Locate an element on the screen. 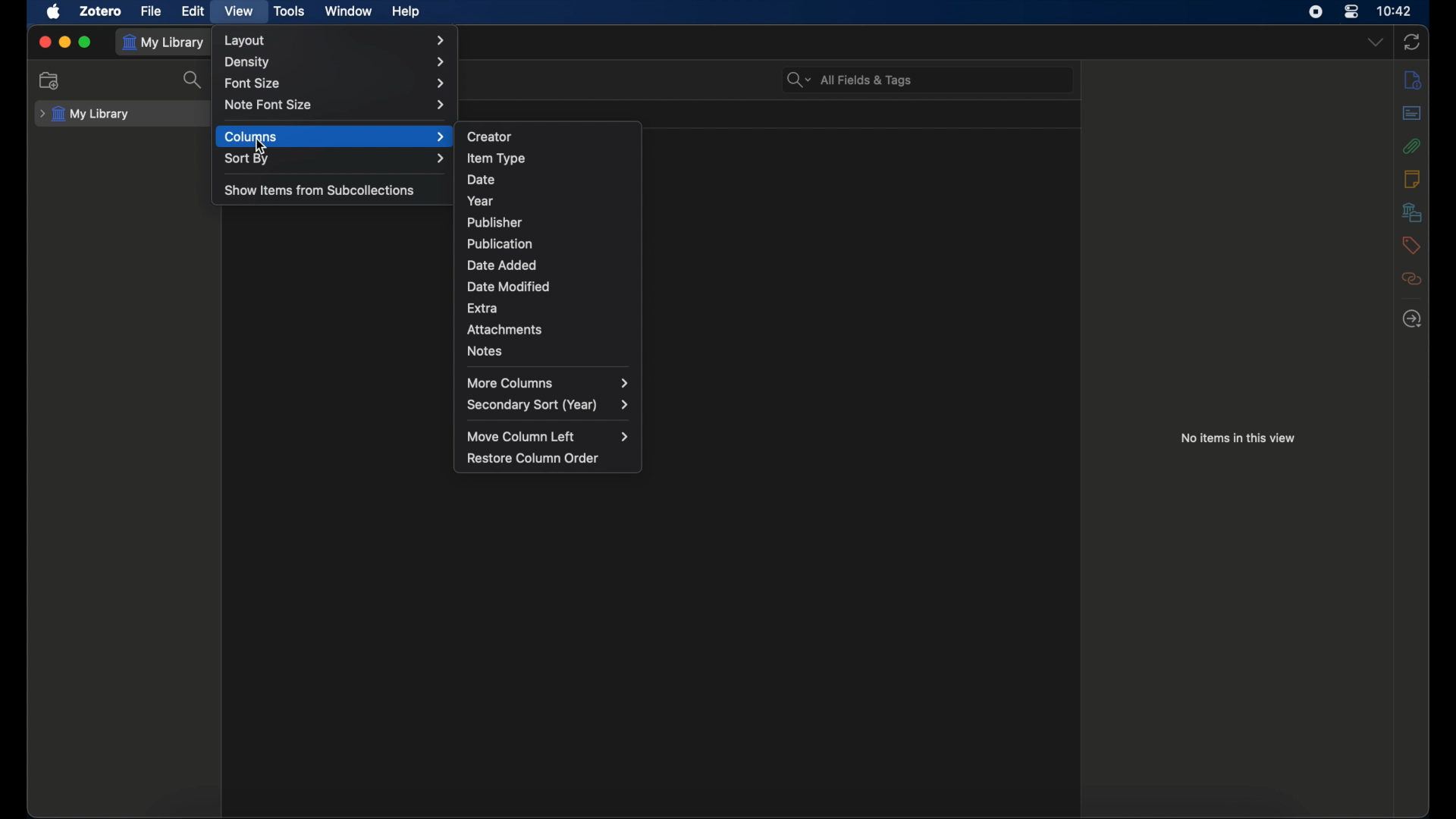 This screenshot has width=1456, height=819. date added is located at coordinates (501, 265).